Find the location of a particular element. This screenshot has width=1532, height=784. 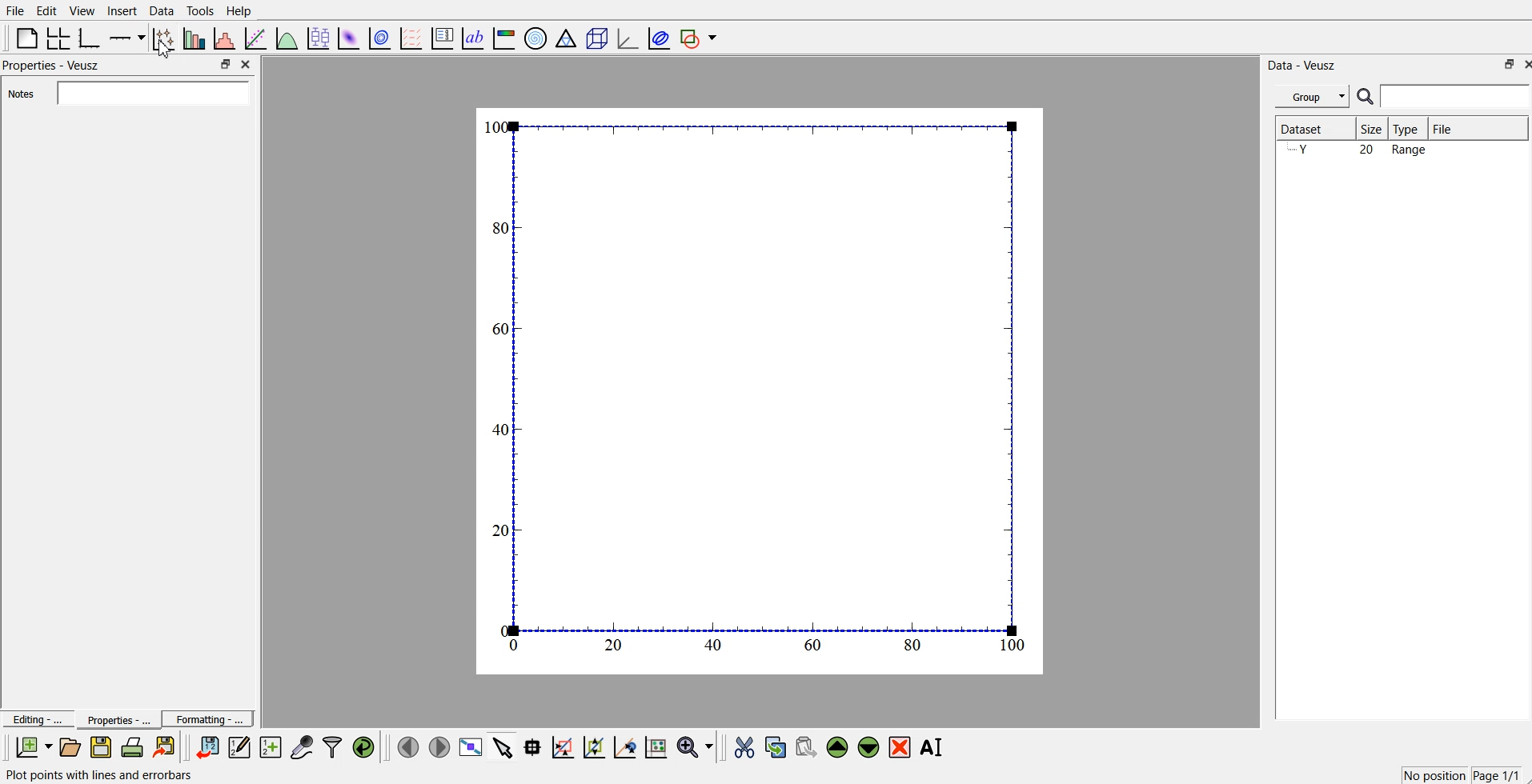

Zoom function menu is located at coordinates (696, 746).